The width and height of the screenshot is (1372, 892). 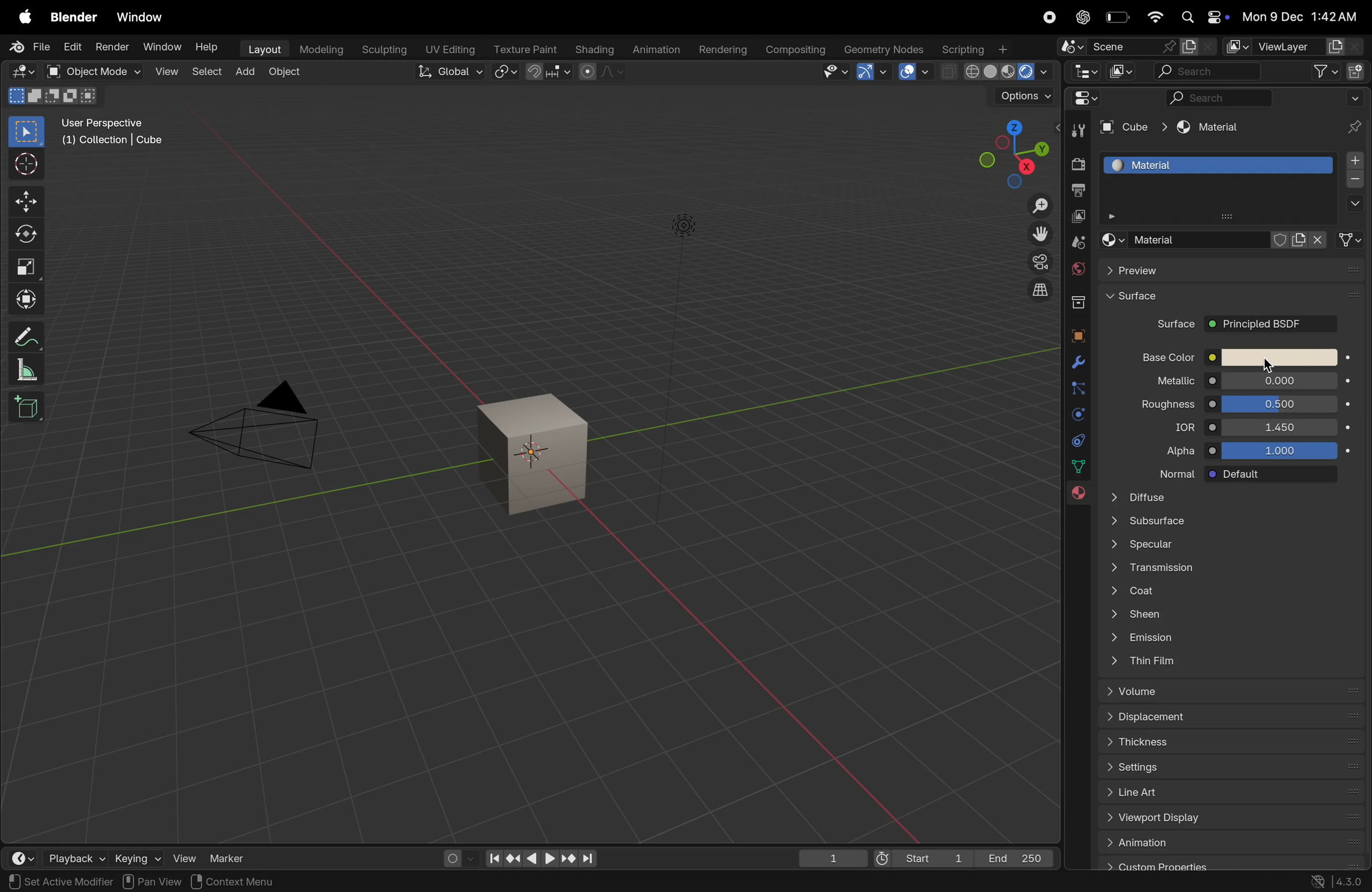 I want to click on marker, so click(x=232, y=857).